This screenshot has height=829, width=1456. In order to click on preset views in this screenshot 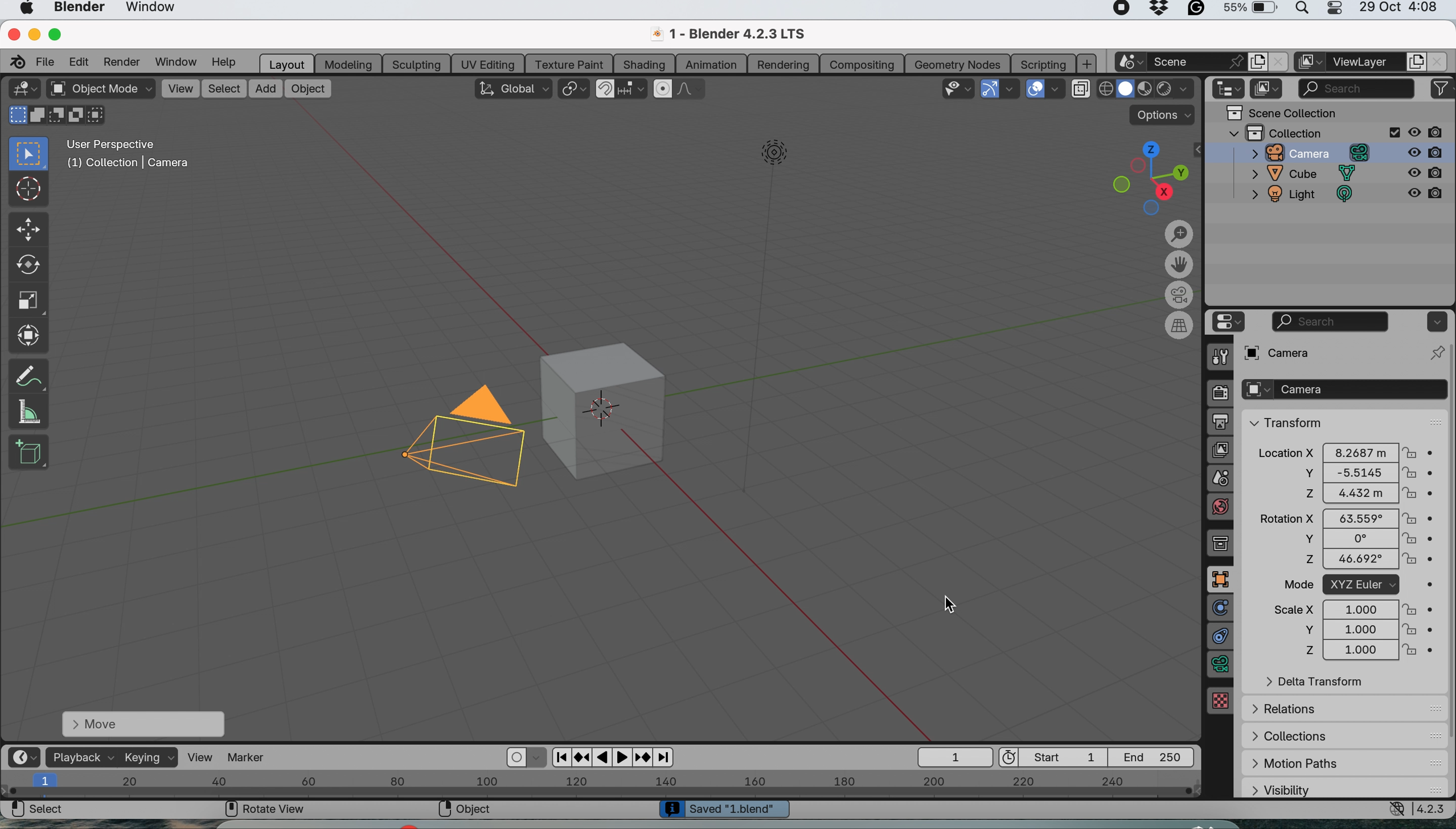, I will do `click(1143, 178)`.